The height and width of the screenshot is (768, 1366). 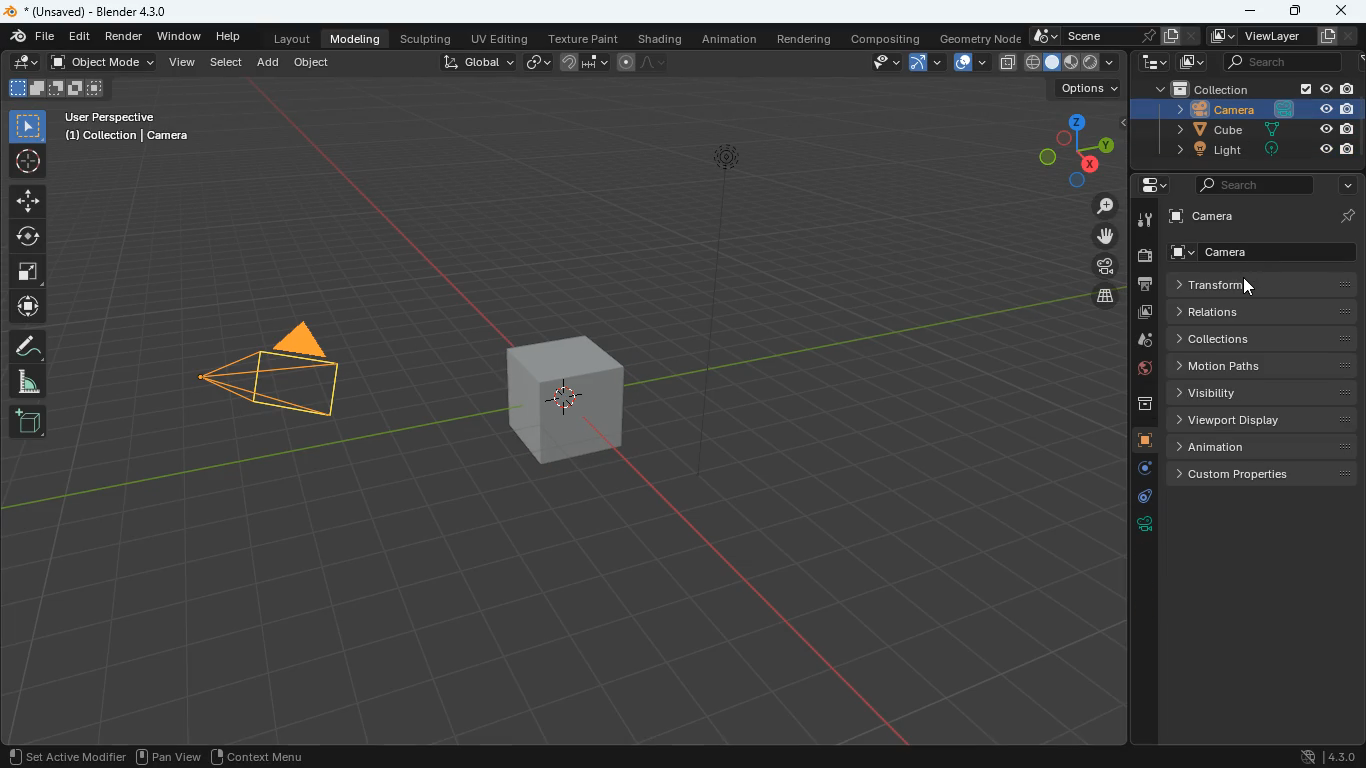 I want to click on move, so click(x=1094, y=236).